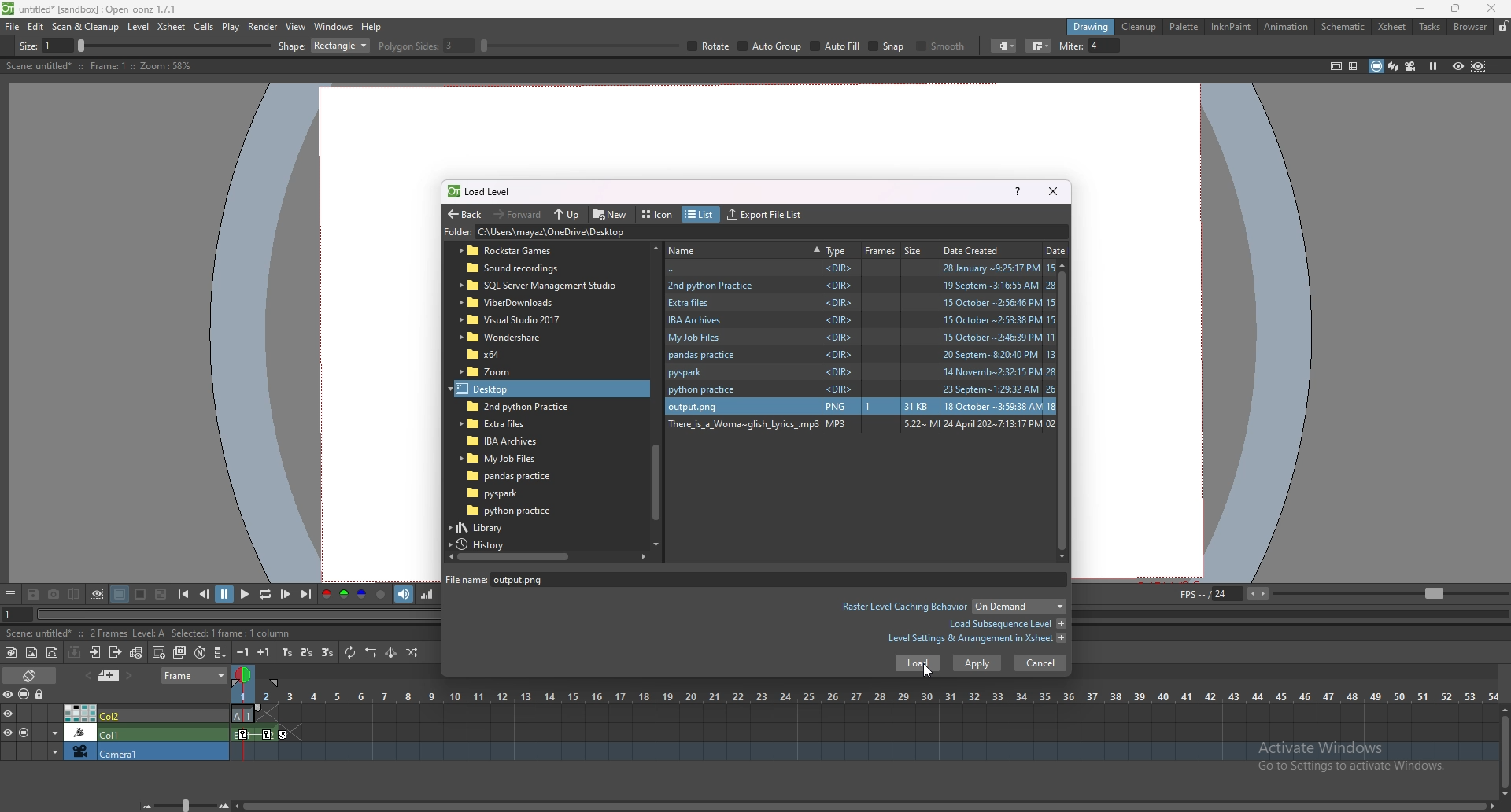 This screenshot has width=1511, height=812. What do you see at coordinates (1364, 46) in the screenshot?
I see `miter` at bounding box center [1364, 46].